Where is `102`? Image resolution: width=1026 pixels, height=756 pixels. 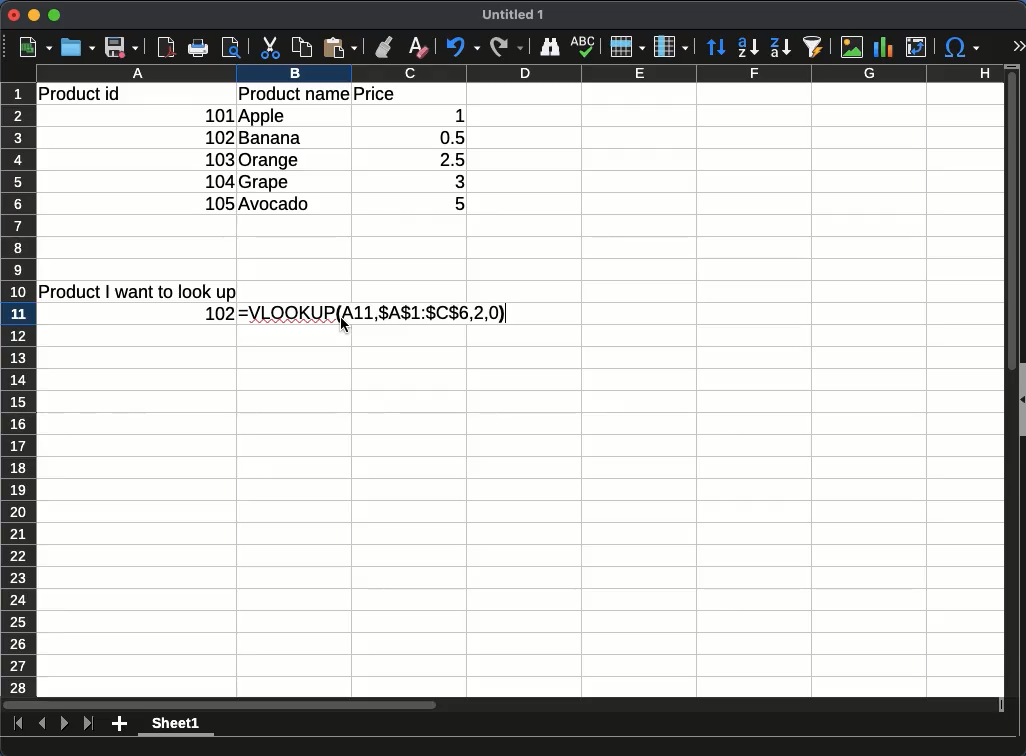 102 is located at coordinates (219, 138).